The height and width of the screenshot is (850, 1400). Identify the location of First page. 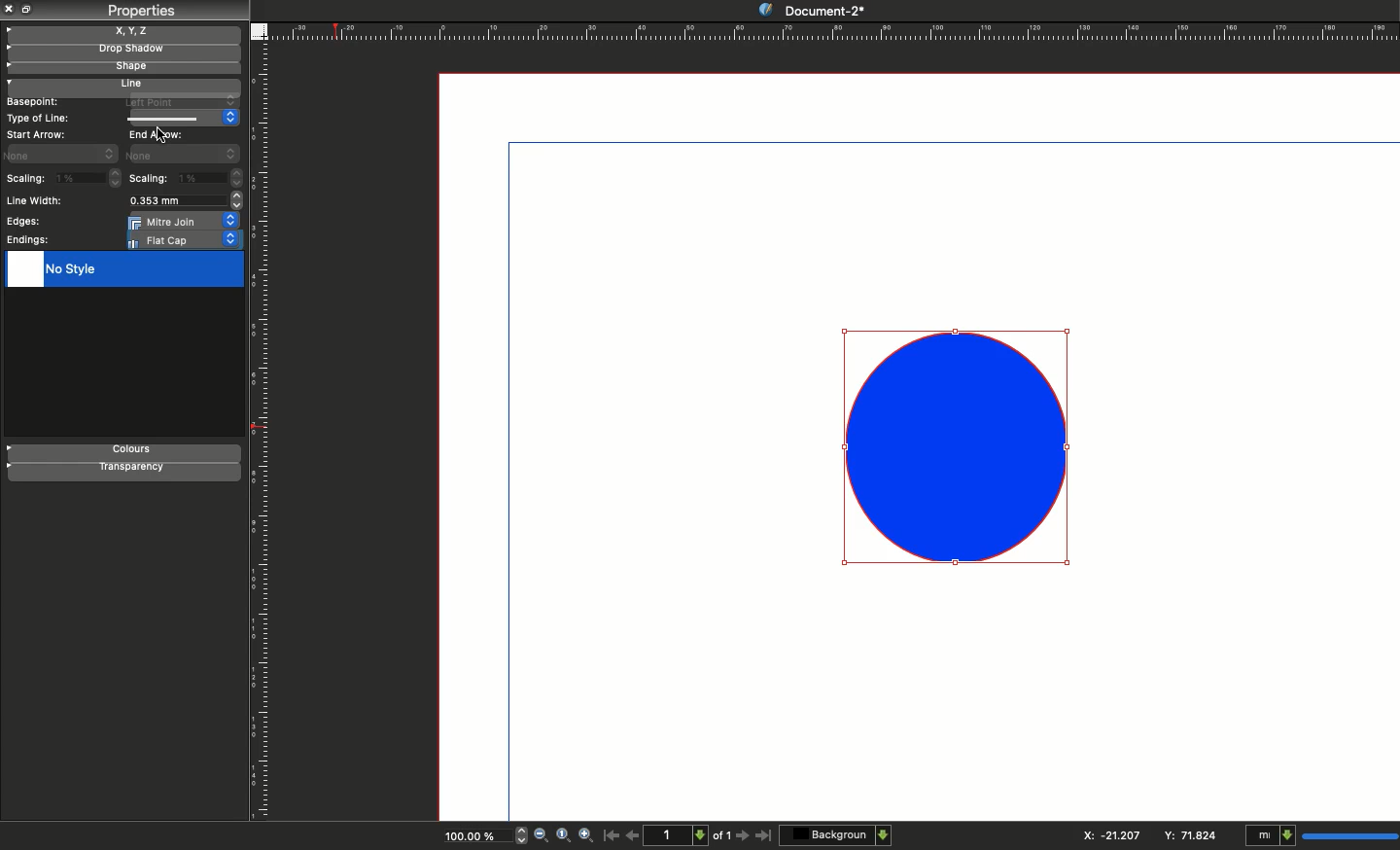
(612, 834).